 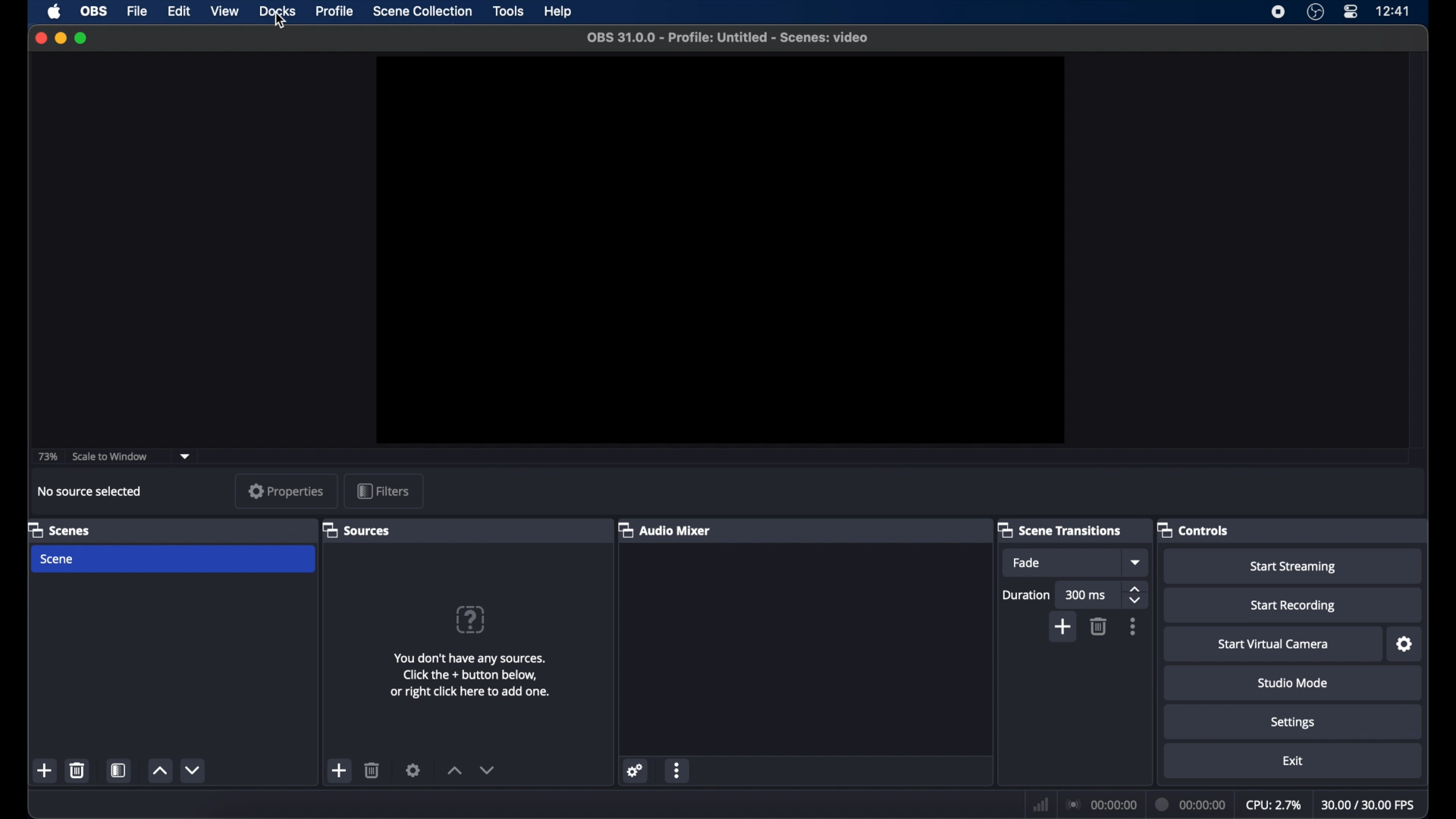 What do you see at coordinates (1027, 563) in the screenshot?
I see `fade` at bounding box center [1027, 563].